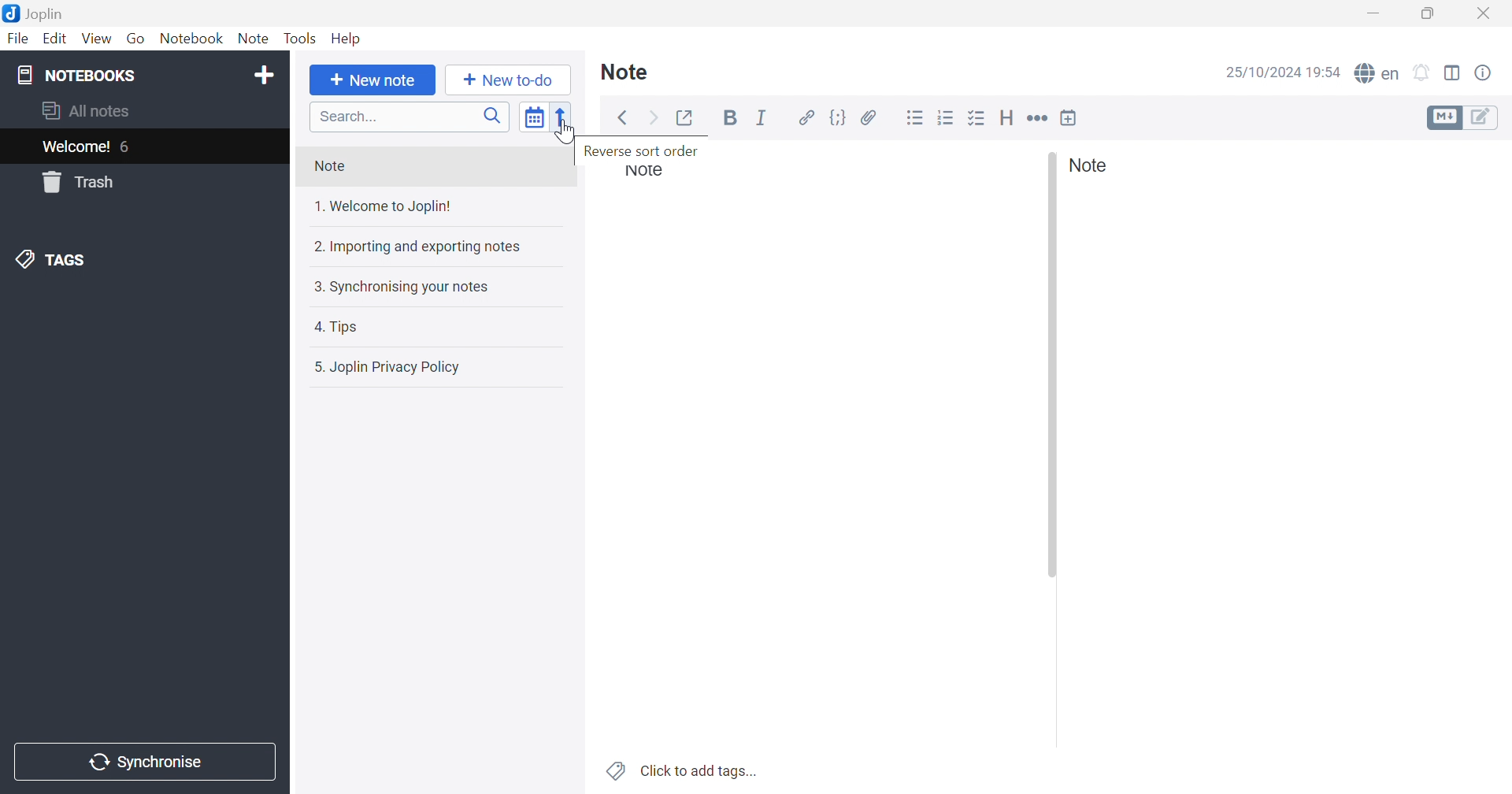 The width and height of the screenshot is (1512, 794). Describe the element at coordinates (389, 368) in the screenshot. I see `5. Joplin Privacy Policy` at that location.